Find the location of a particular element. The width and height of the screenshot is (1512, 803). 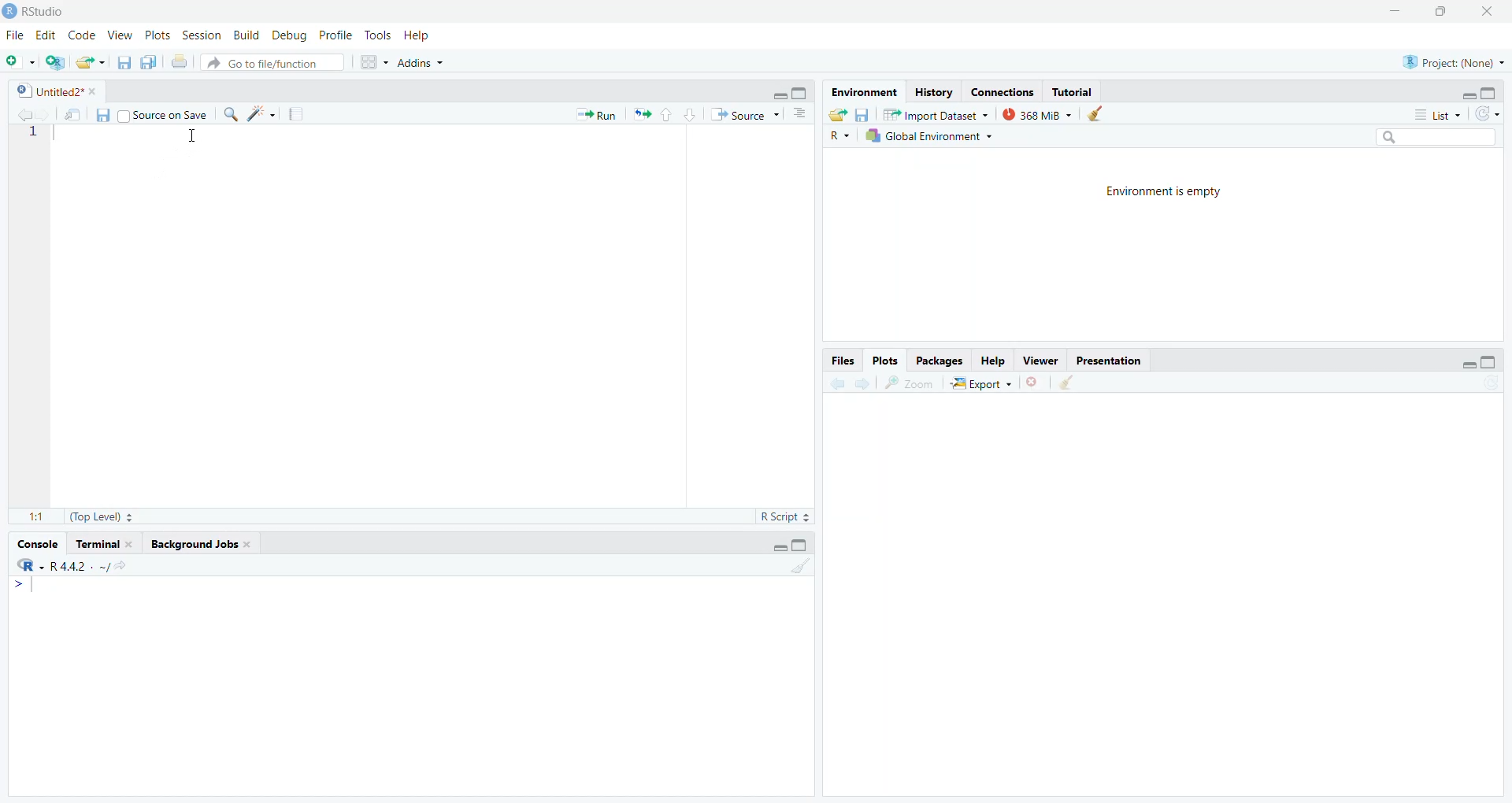

e Tools is located at coordinates (376, 35).